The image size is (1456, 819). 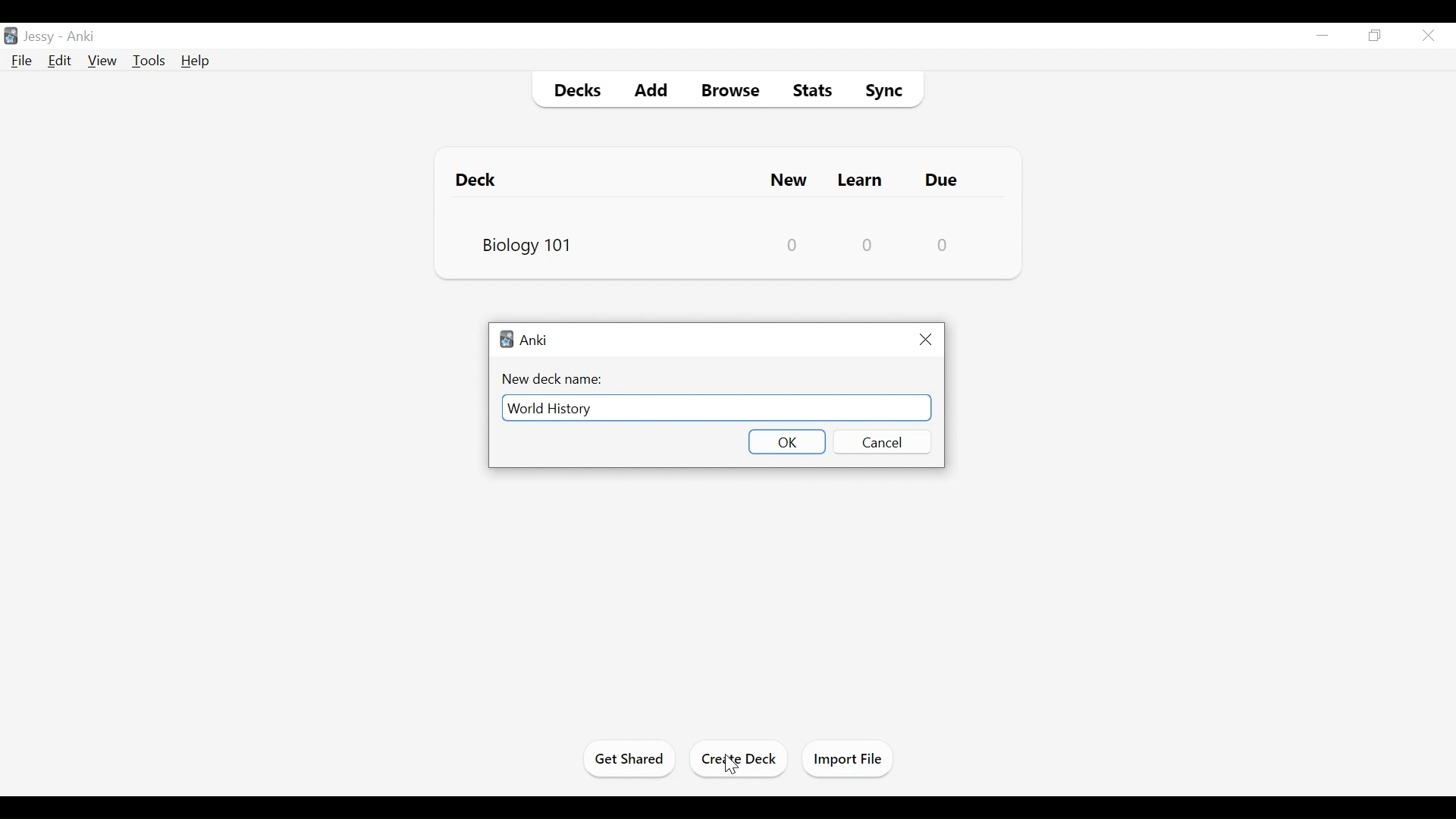 I want to click on Cancel, so click(x=880, y=442).